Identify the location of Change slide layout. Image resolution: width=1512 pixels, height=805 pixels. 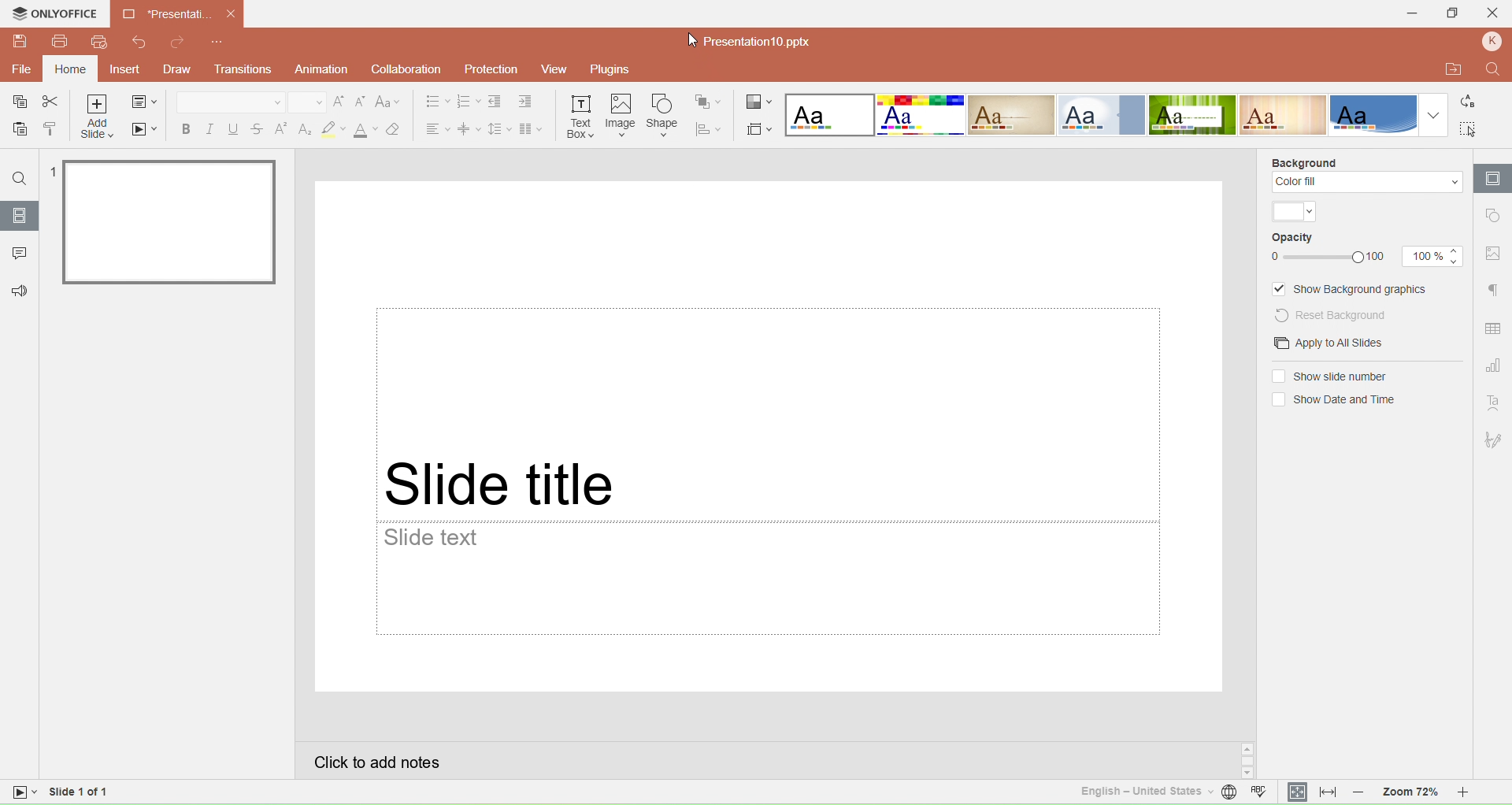
(146, 102).